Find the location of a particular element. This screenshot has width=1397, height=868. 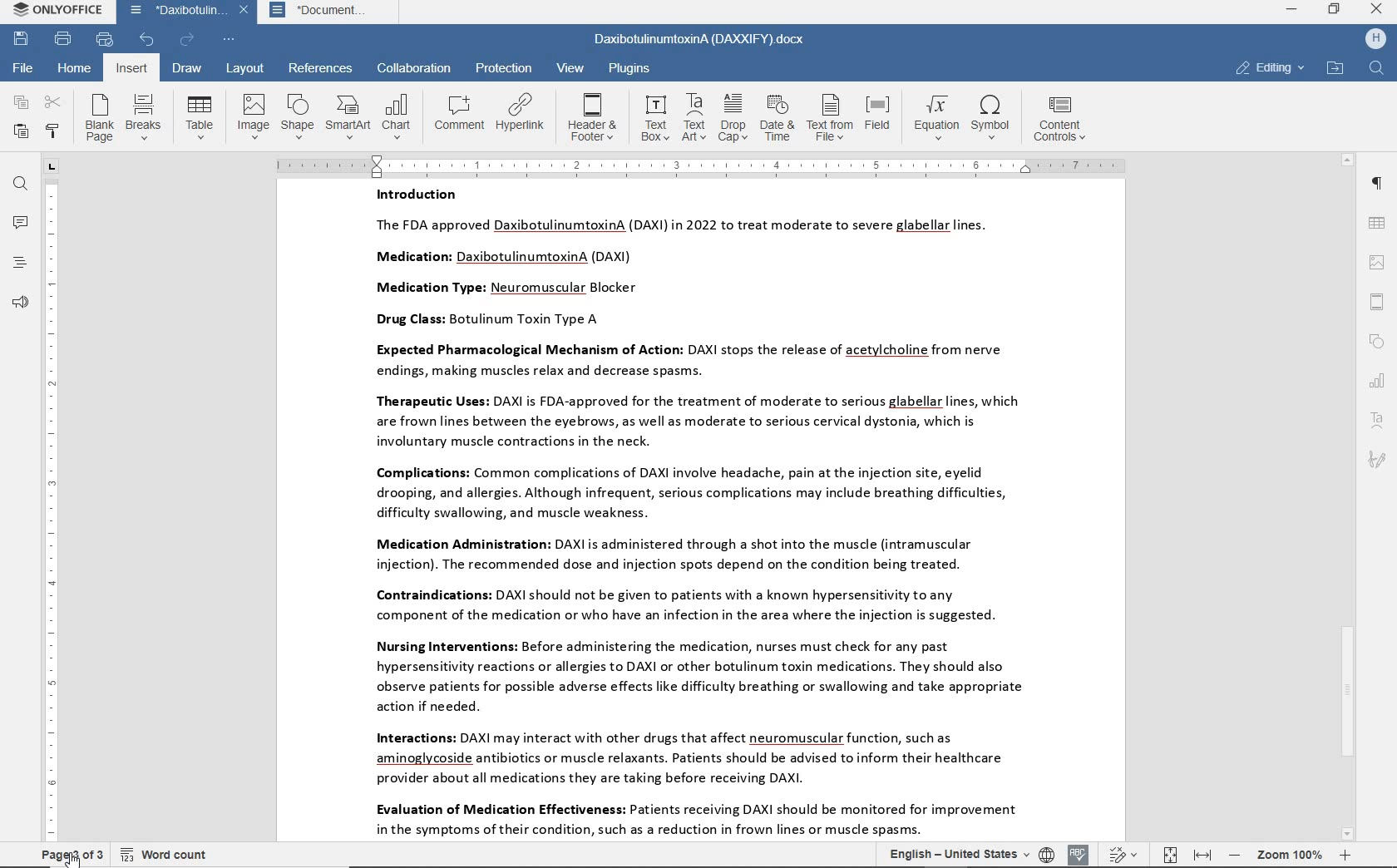

comment is located at coordinates (460, 111).